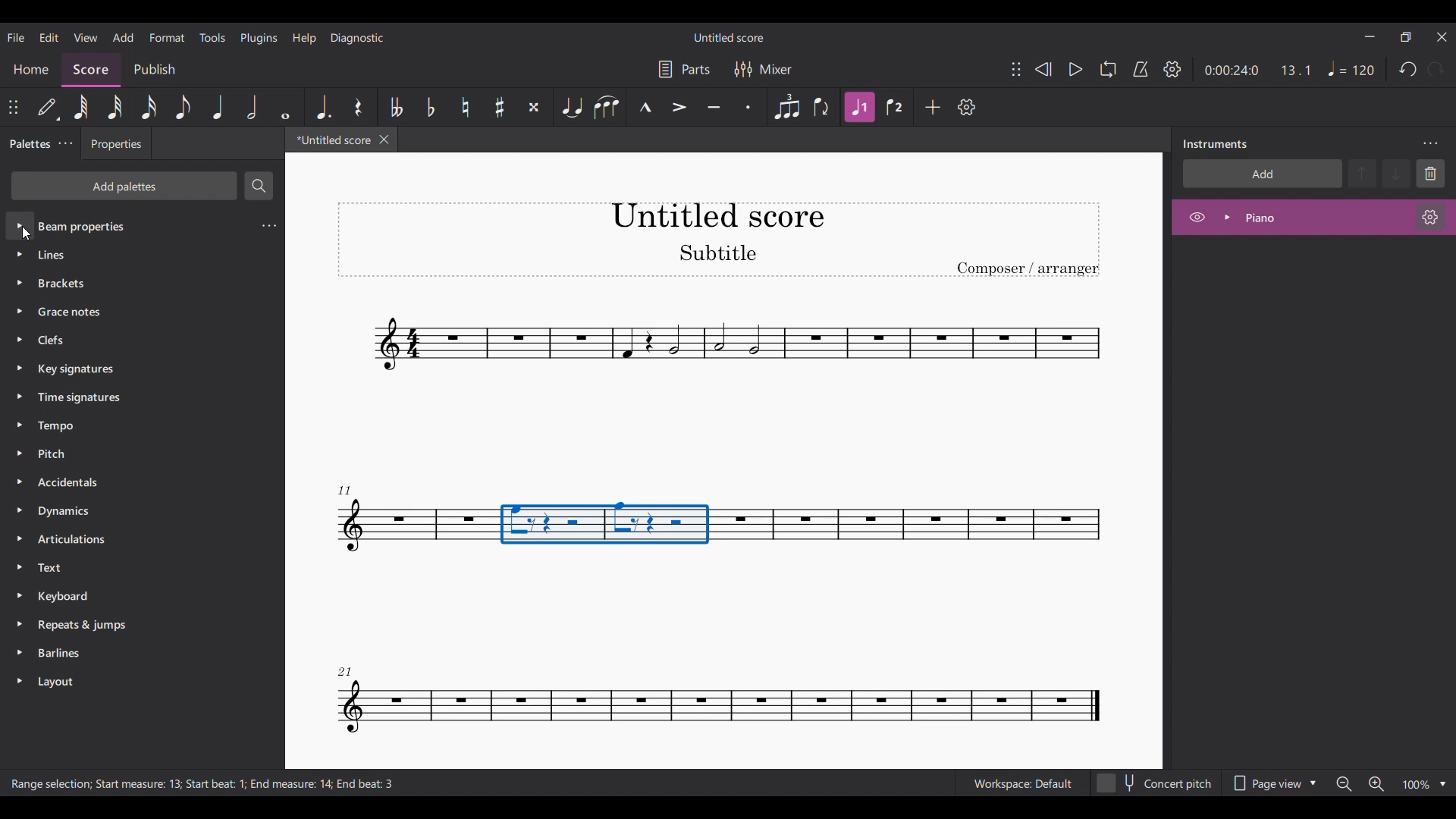 The height and width of the screenshot is (819, 1456). What do you see at coordinates (148, 107) in the screenshot?
I see `16th note` at bounding box center [148, 107].